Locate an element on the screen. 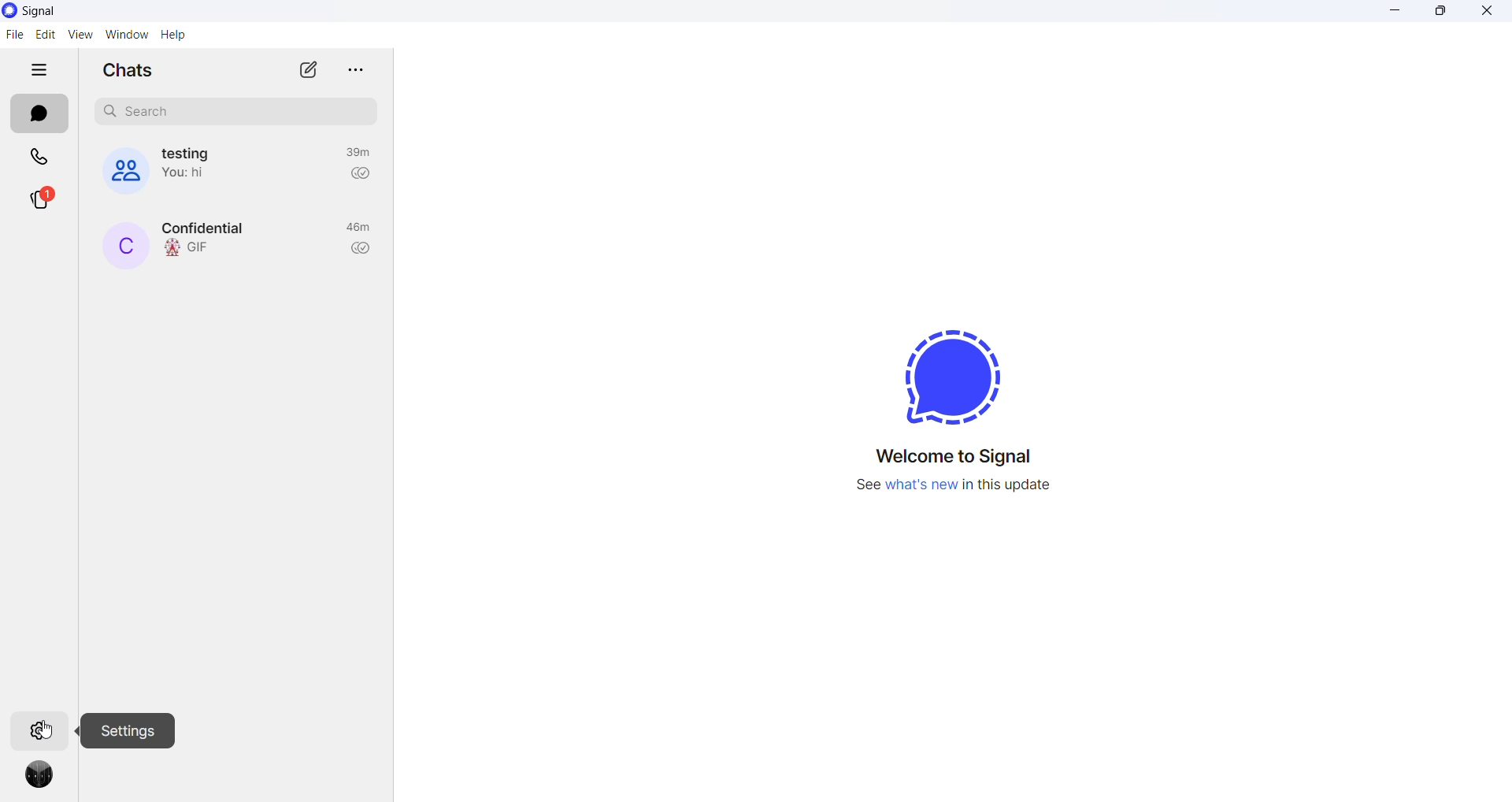 Image resolution: width=1512 pixels, height=802 pixels. new chat is located at coordinates (306, 71).